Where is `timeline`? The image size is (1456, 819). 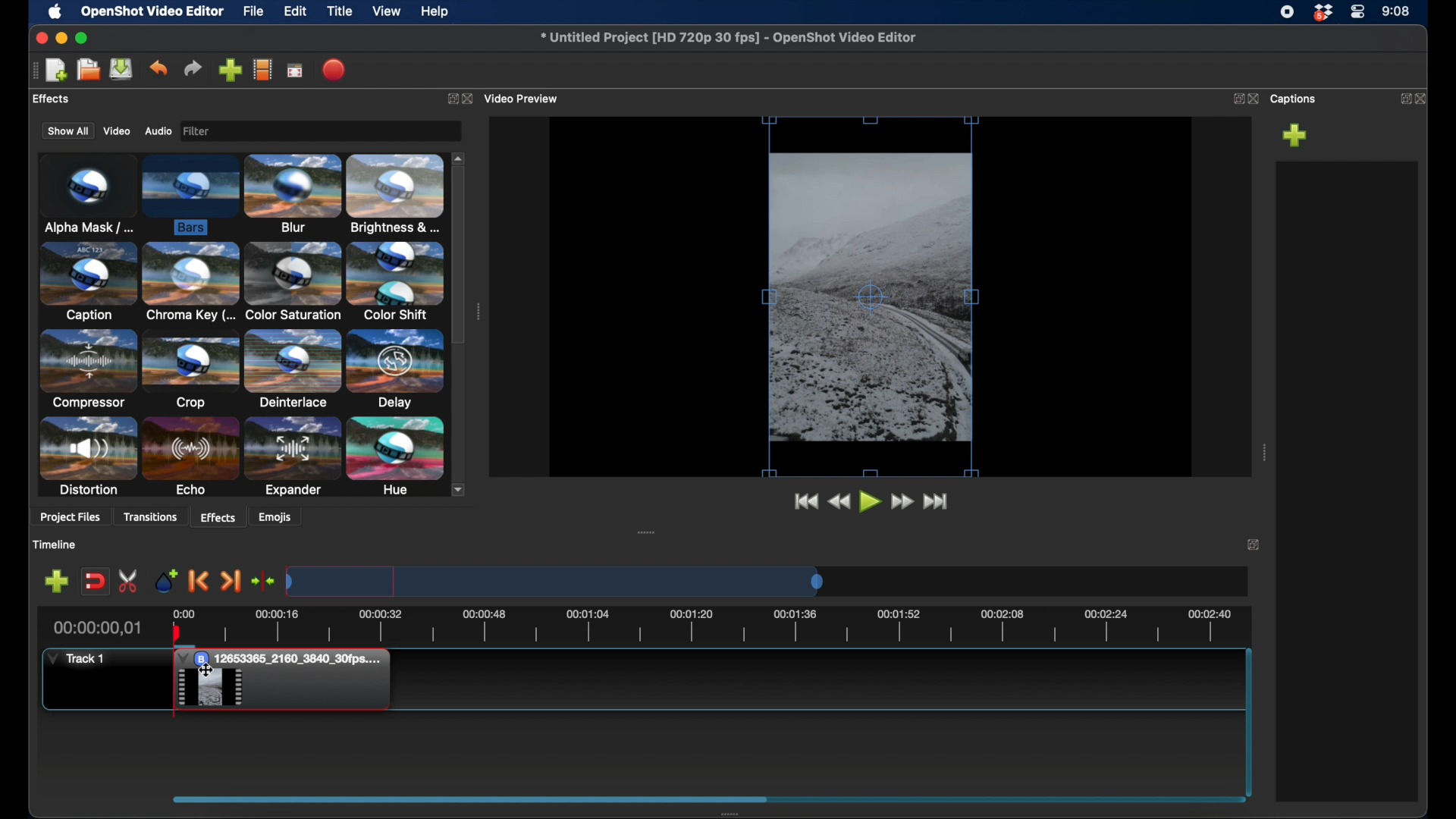 timeline is located at coordinates (57, 544).